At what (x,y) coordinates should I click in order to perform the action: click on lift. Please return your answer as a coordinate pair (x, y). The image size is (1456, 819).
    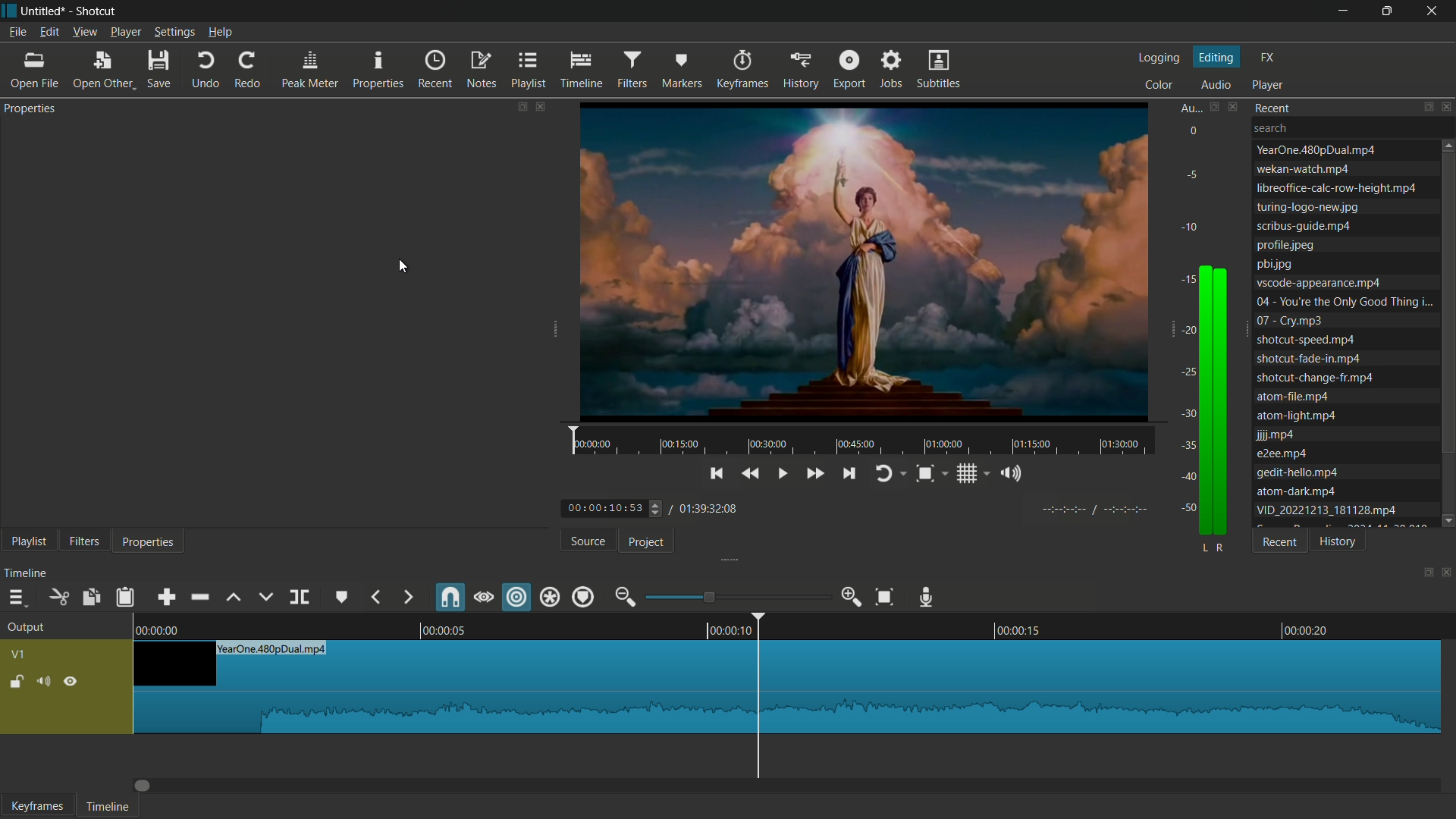
    Looking at the image, I should click on (236, 599).